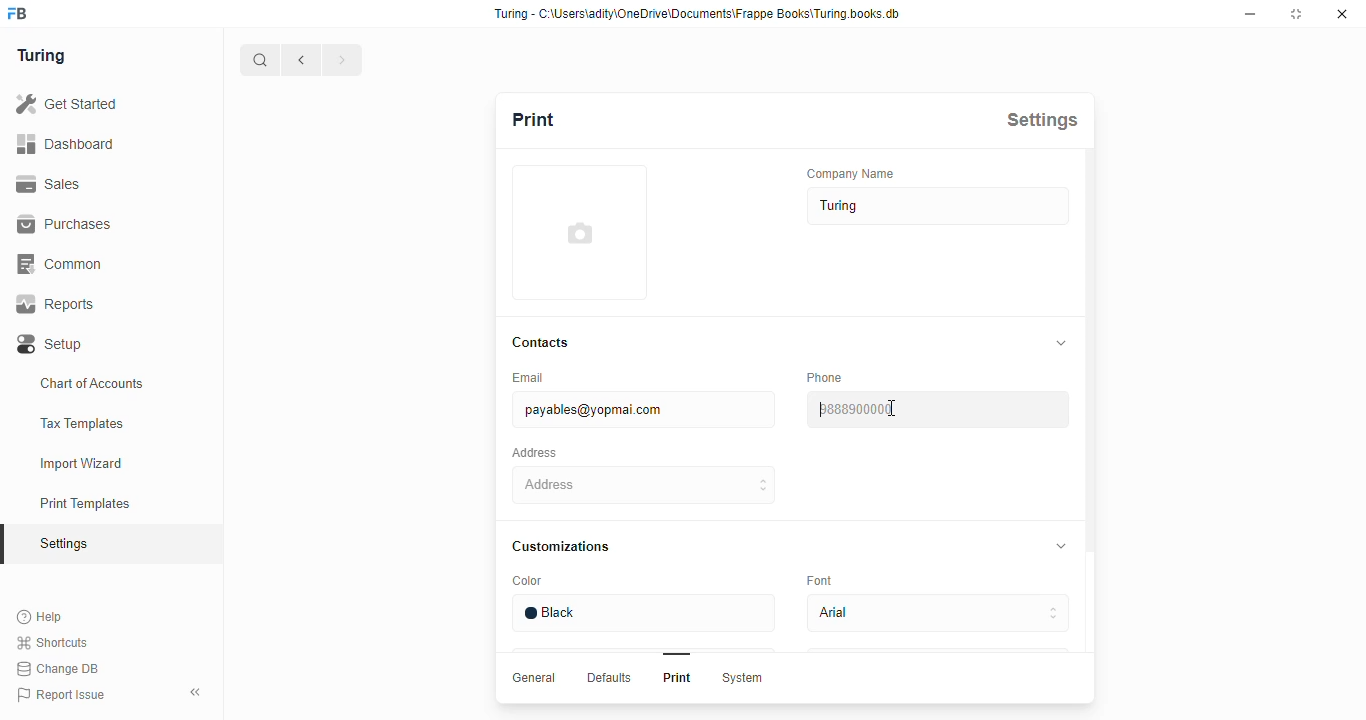 This screenshot has height=720, width=1366. Describe the element at coordinates (698, 12) in the screenshot. I see `Turing - C-\Users\adity\OneDrive\Documents\Frappe Books\Turing.books.db` at that location.